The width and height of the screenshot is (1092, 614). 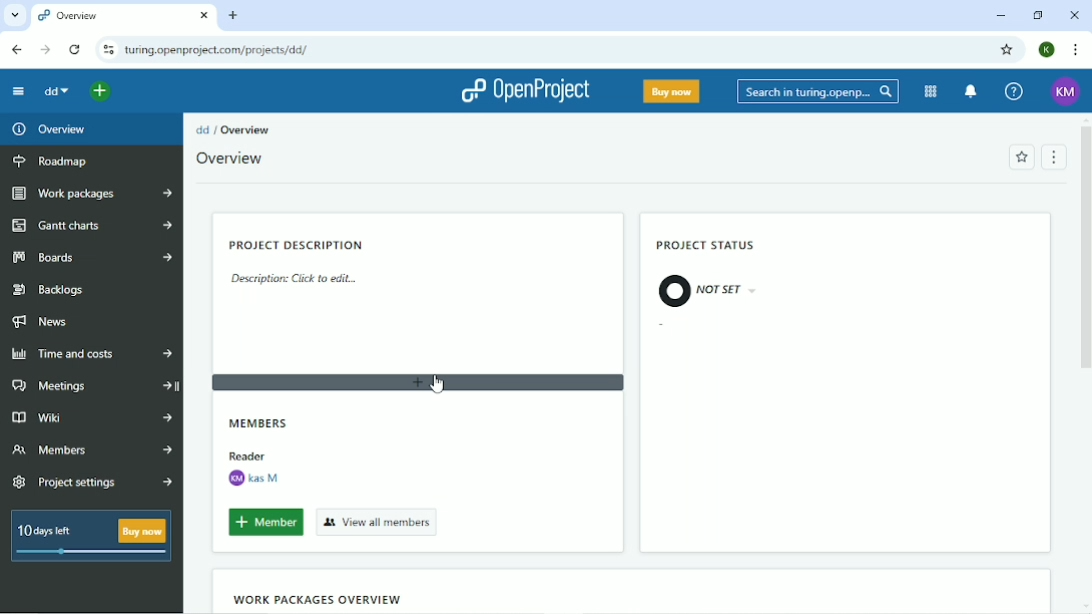 What do you see at coordinates (317, 599) in the screenshot?
I see `Work packages overview` at bounding box center [317, 599].